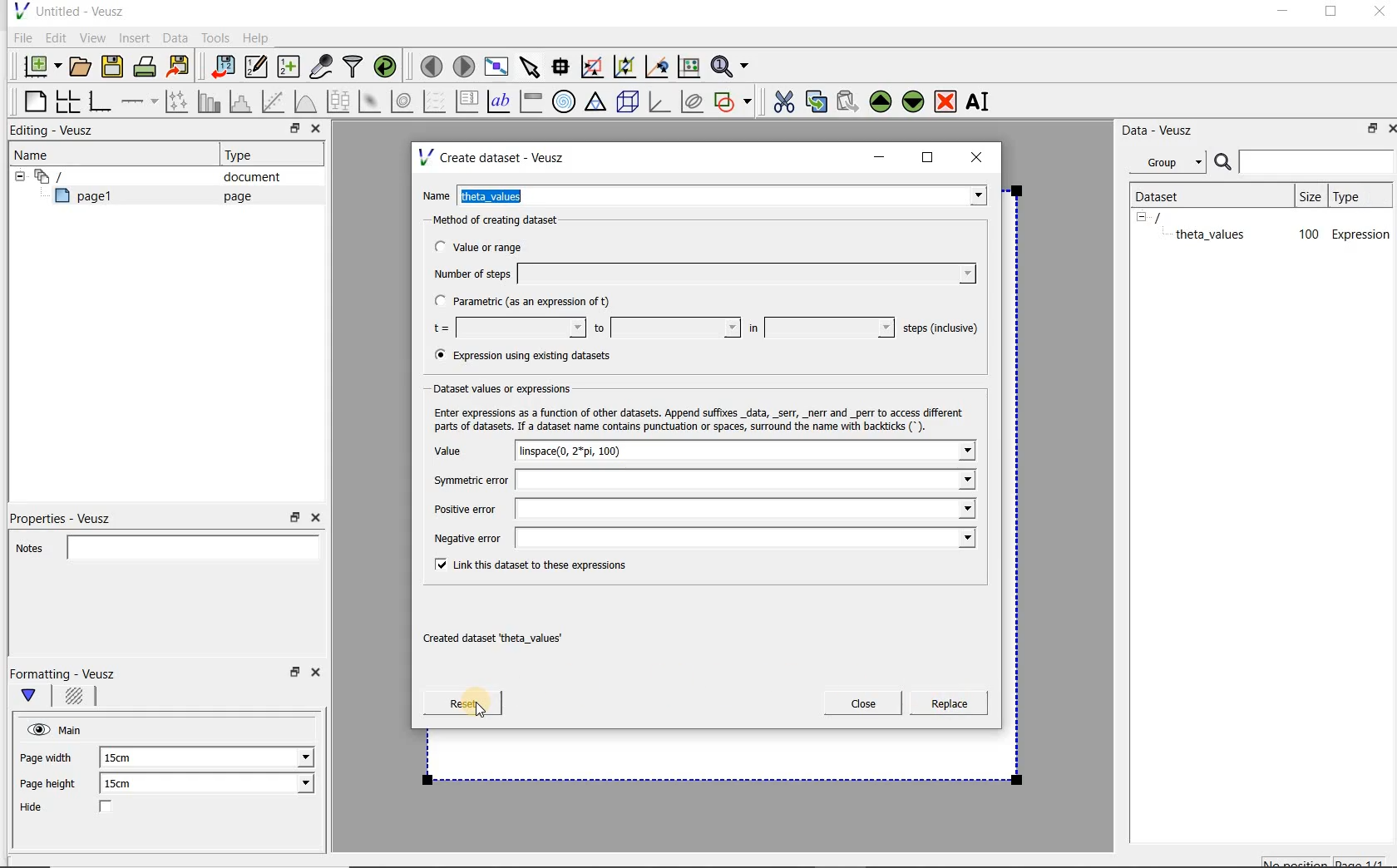  What do you see at coordinates (494, 157) in the screenshot?
I see `Create dataset - Veusz` at bounding box center [494, 157].